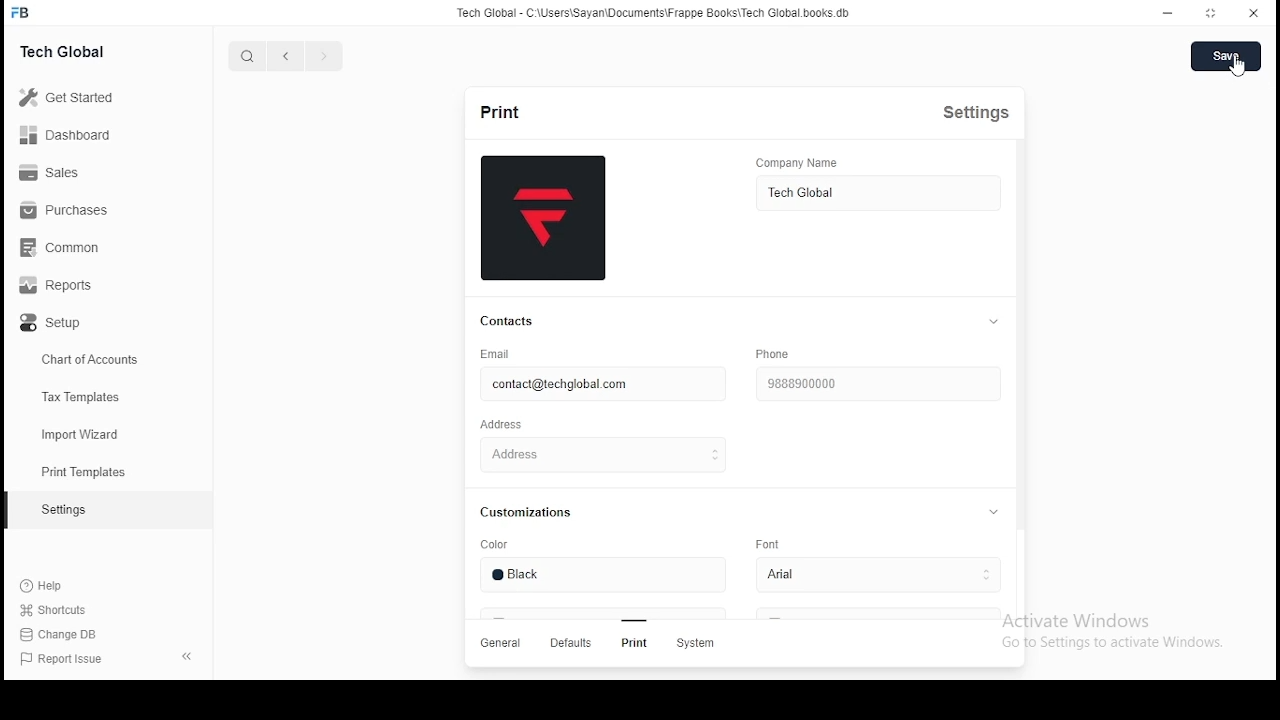 This screenshot has width=1280, height=720. I want to click on common , so click(80, 250).